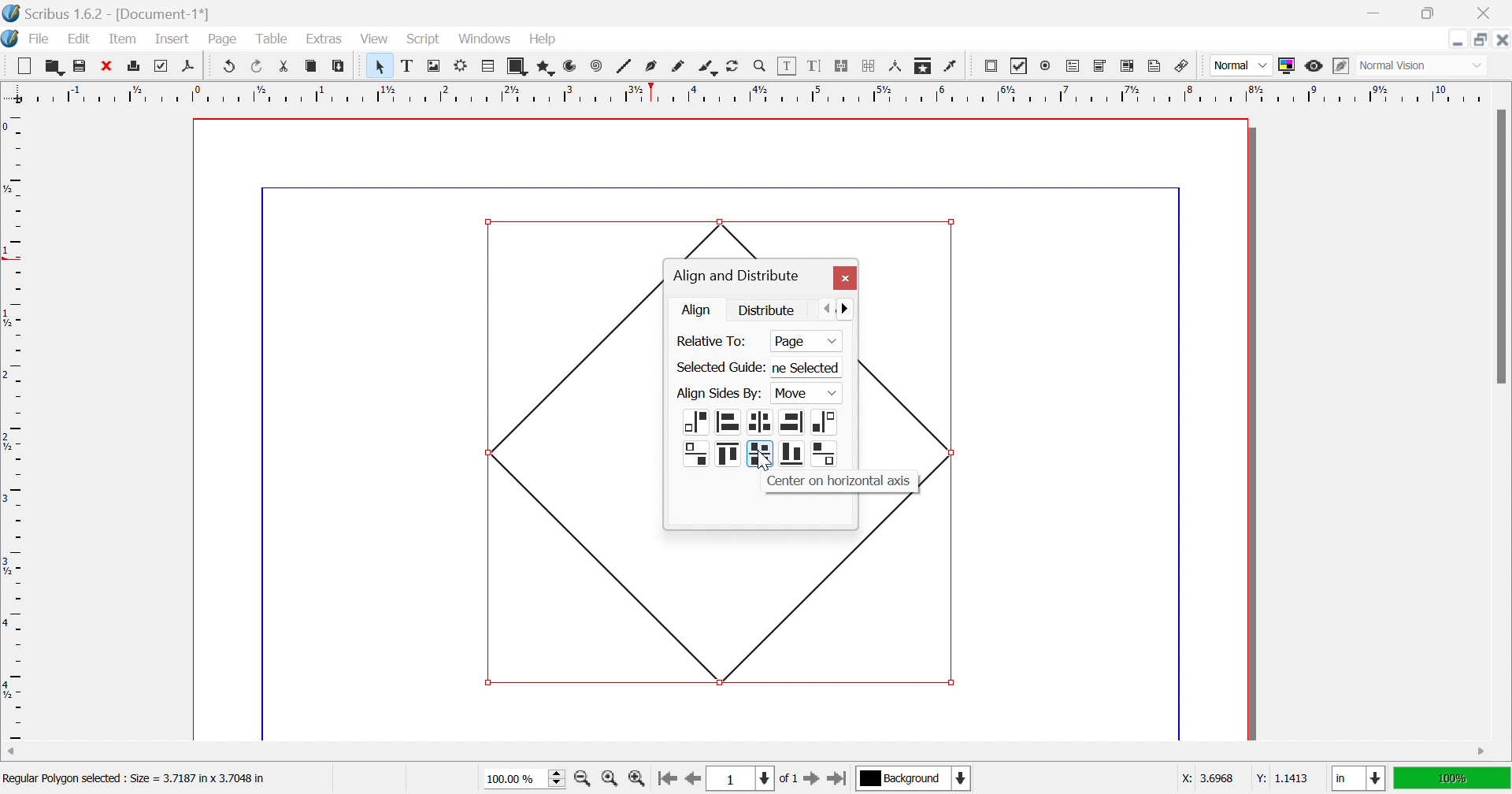 The image size is (1512, 794). What do you see at coordinates (1500, 246) in the screenshot?
I see `Scroll bar` at bounding box center [1500, 246].